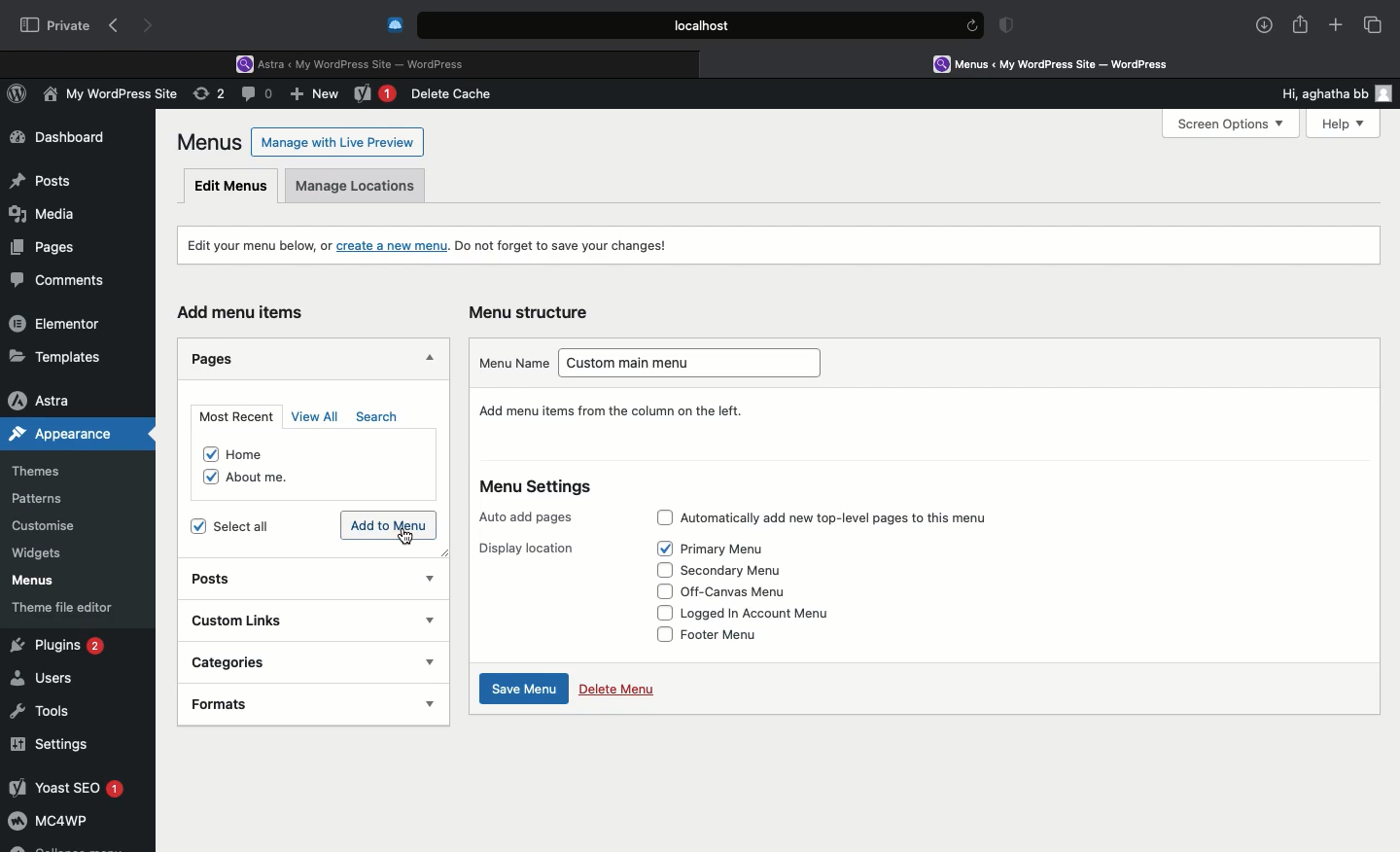 This screenshot has height=852, width=1400. What do you see at coordinates (107, 97) in the screenshot?
I see `My WordPress Site` at bounding box center [107, 97].